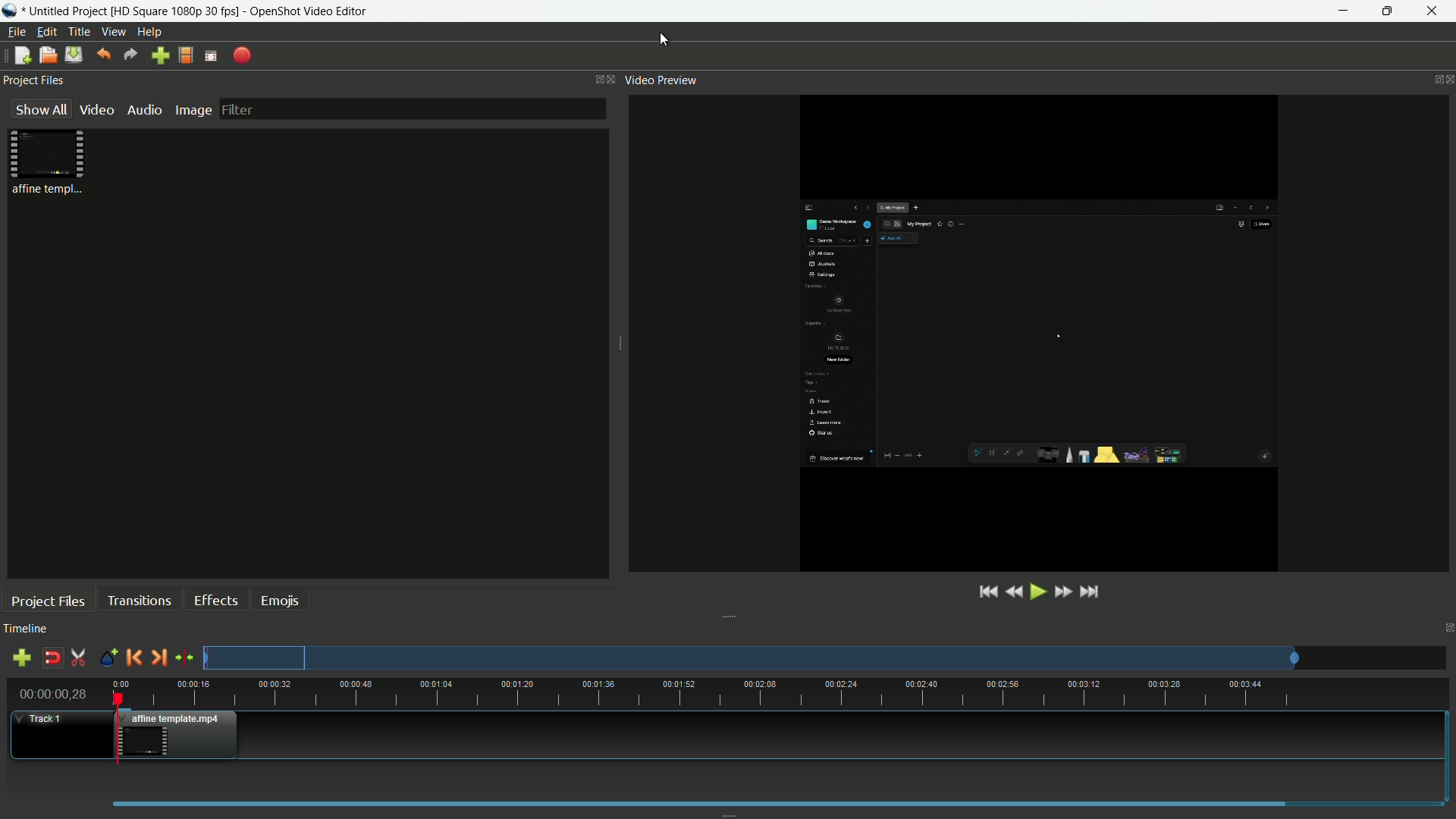 The height and width of the screenshot is (819, 1456). What do you see at coordinates (211, 55) in the screenshot?
I see `full screen` at bounding box center [211, 55].